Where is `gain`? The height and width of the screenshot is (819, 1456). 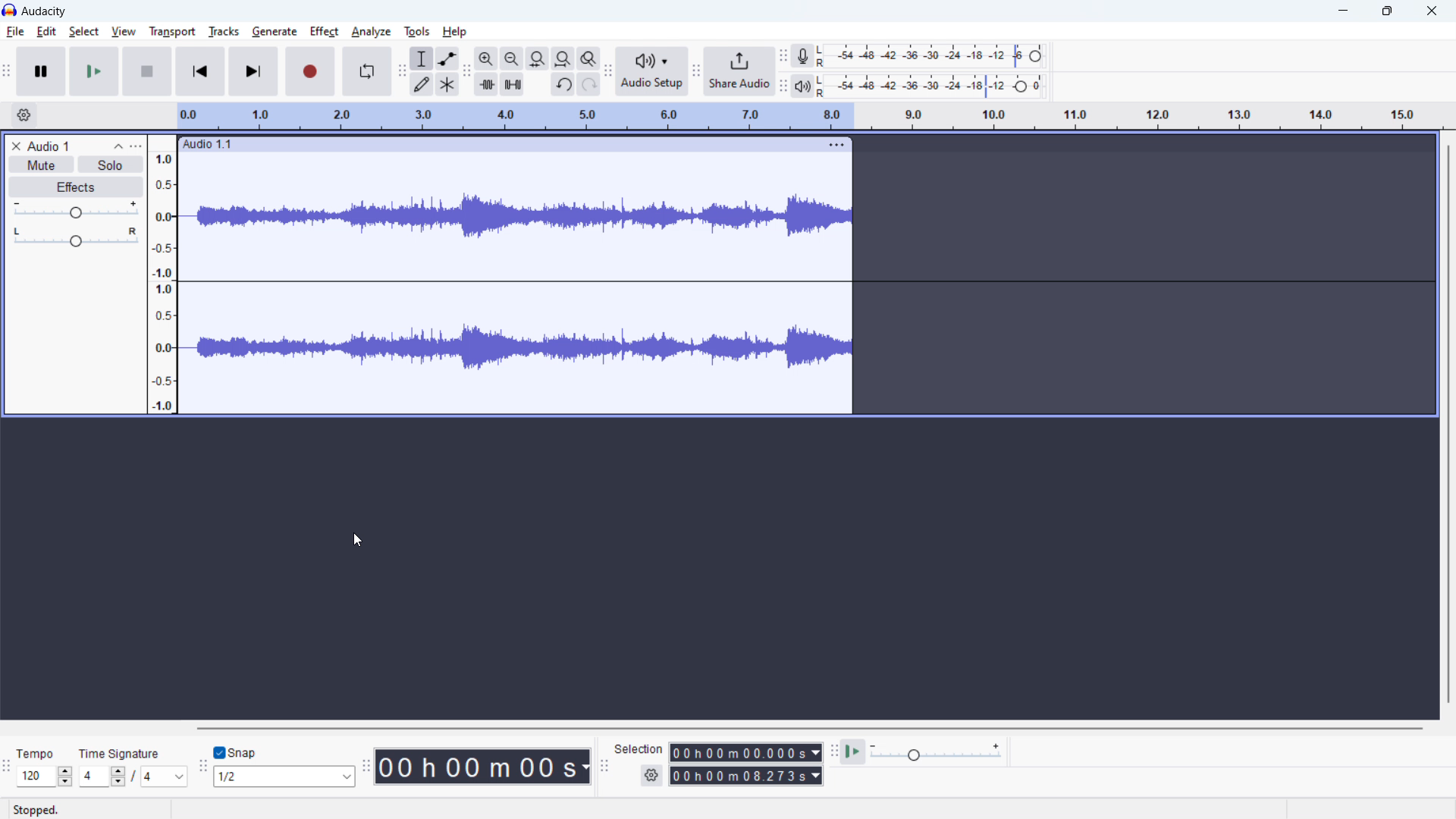
gain is located at coordinates (76, 210).